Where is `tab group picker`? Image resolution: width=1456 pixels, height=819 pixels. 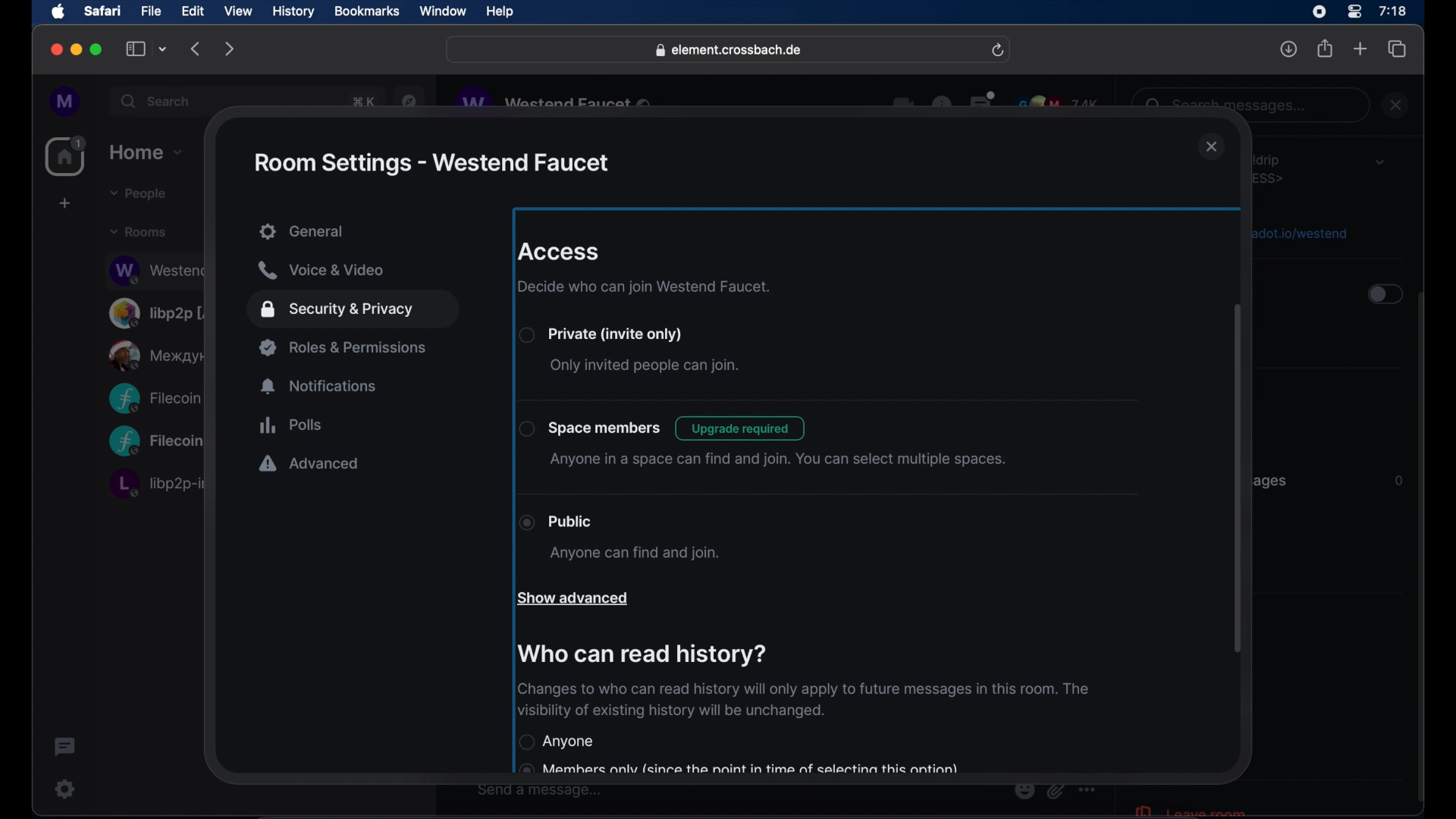
tab group picker is located at coordinates (163, 49).